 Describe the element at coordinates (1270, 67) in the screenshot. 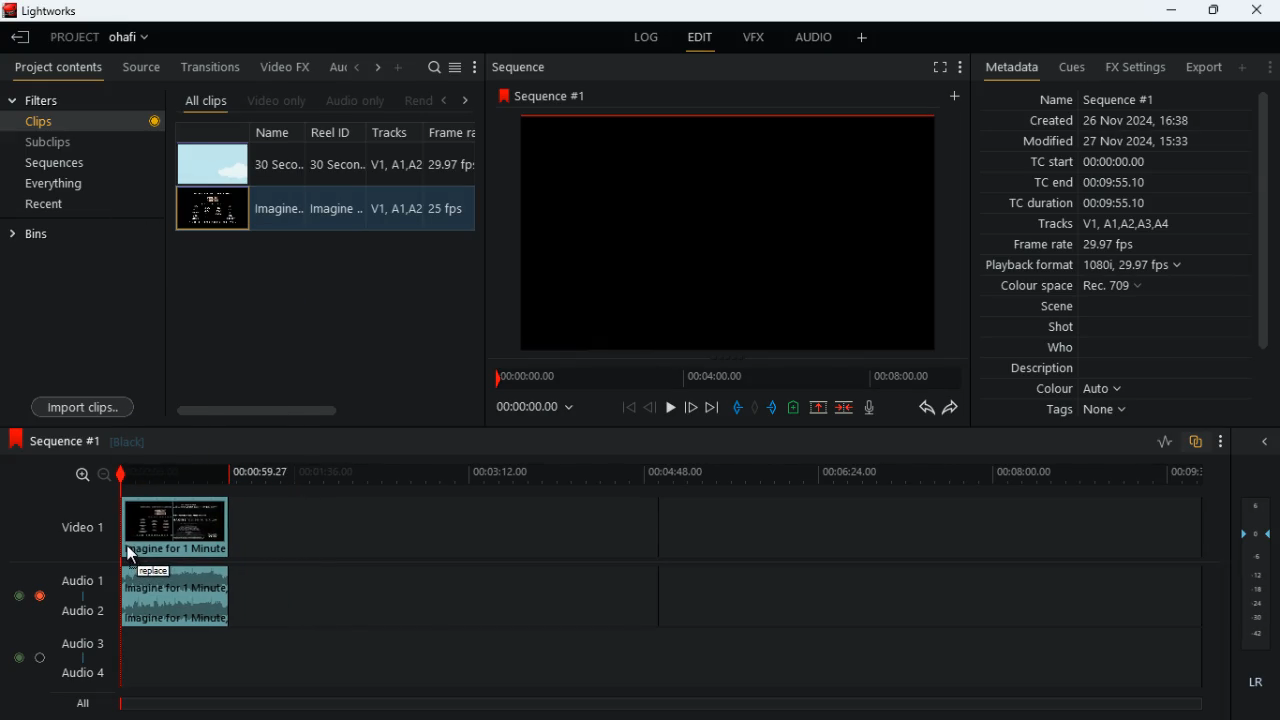

I see `more` at that location.